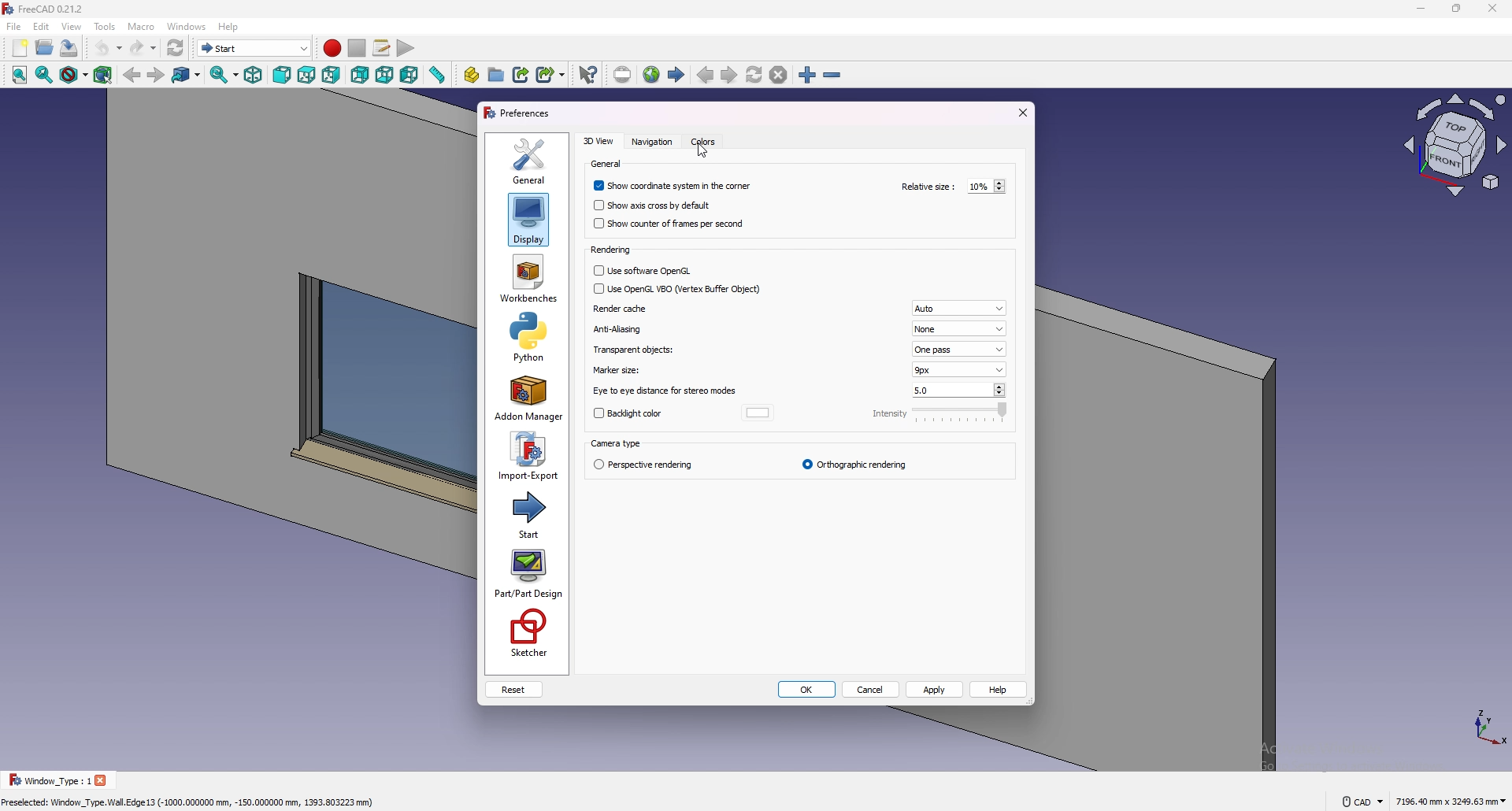 The image size is (1512, 811). I want to click on 5.0, so click(961, 391).